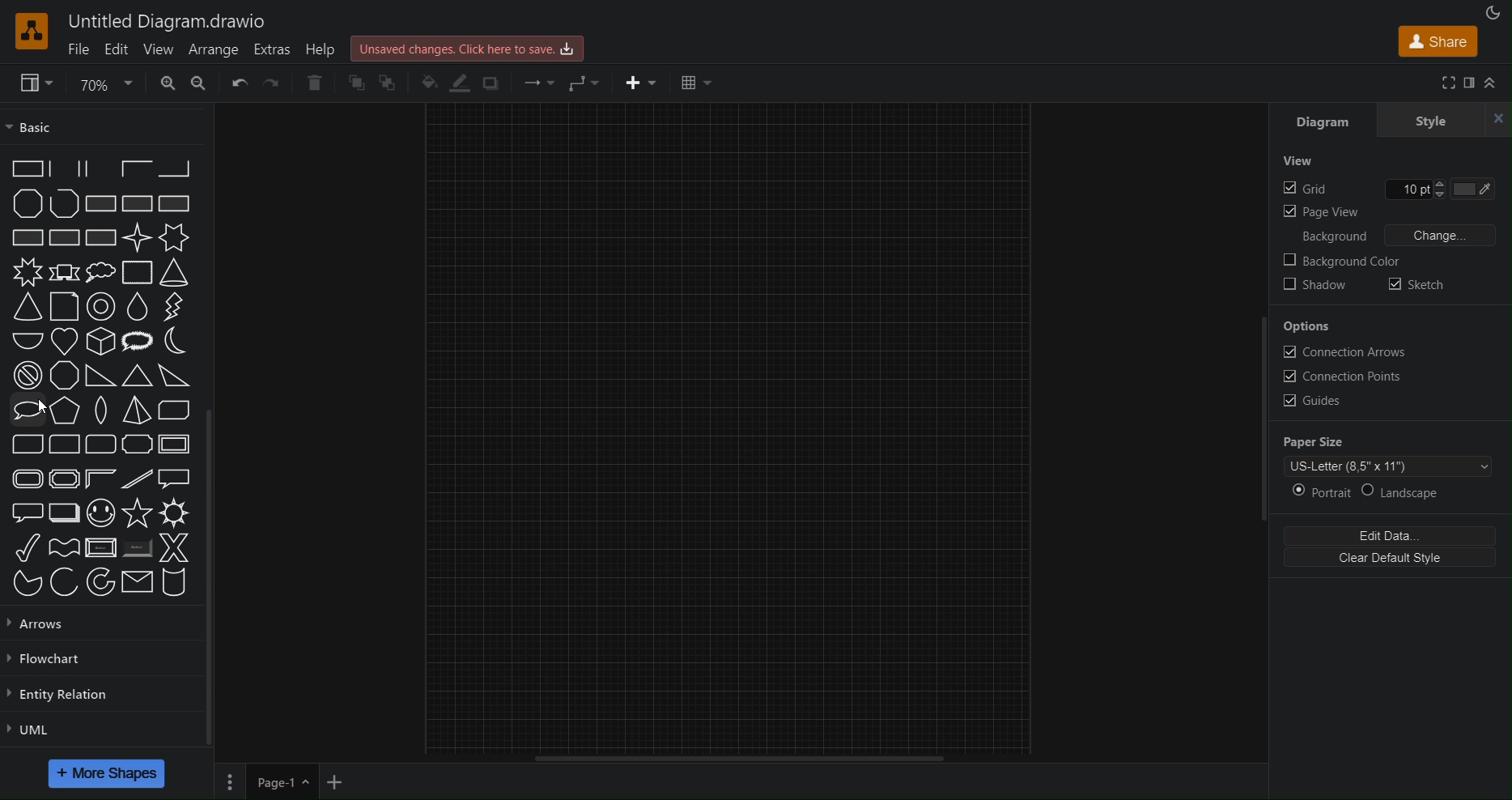 The height and width of the screenshot is (800, 1512). Describe the element at coordinates (136, 411) in the screenshot. I see `Pyramid` at that location.